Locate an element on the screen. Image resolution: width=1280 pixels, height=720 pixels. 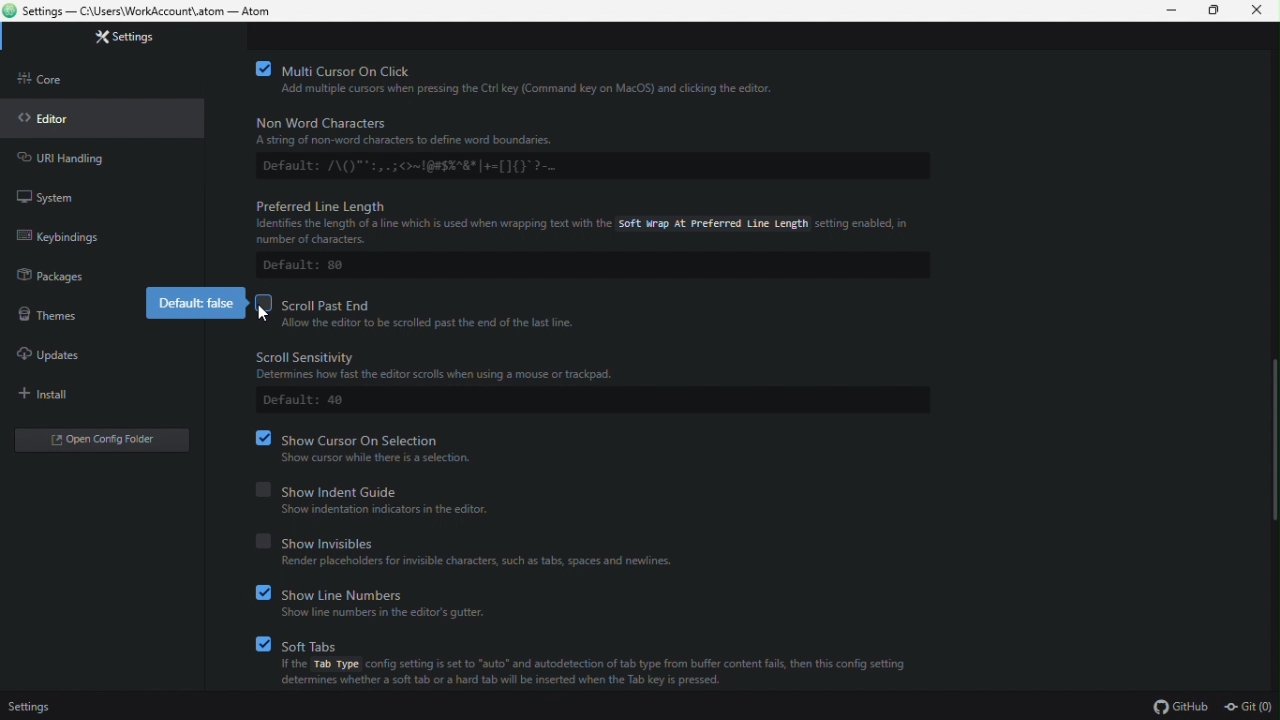
Install is located at coordinates (71, 394).